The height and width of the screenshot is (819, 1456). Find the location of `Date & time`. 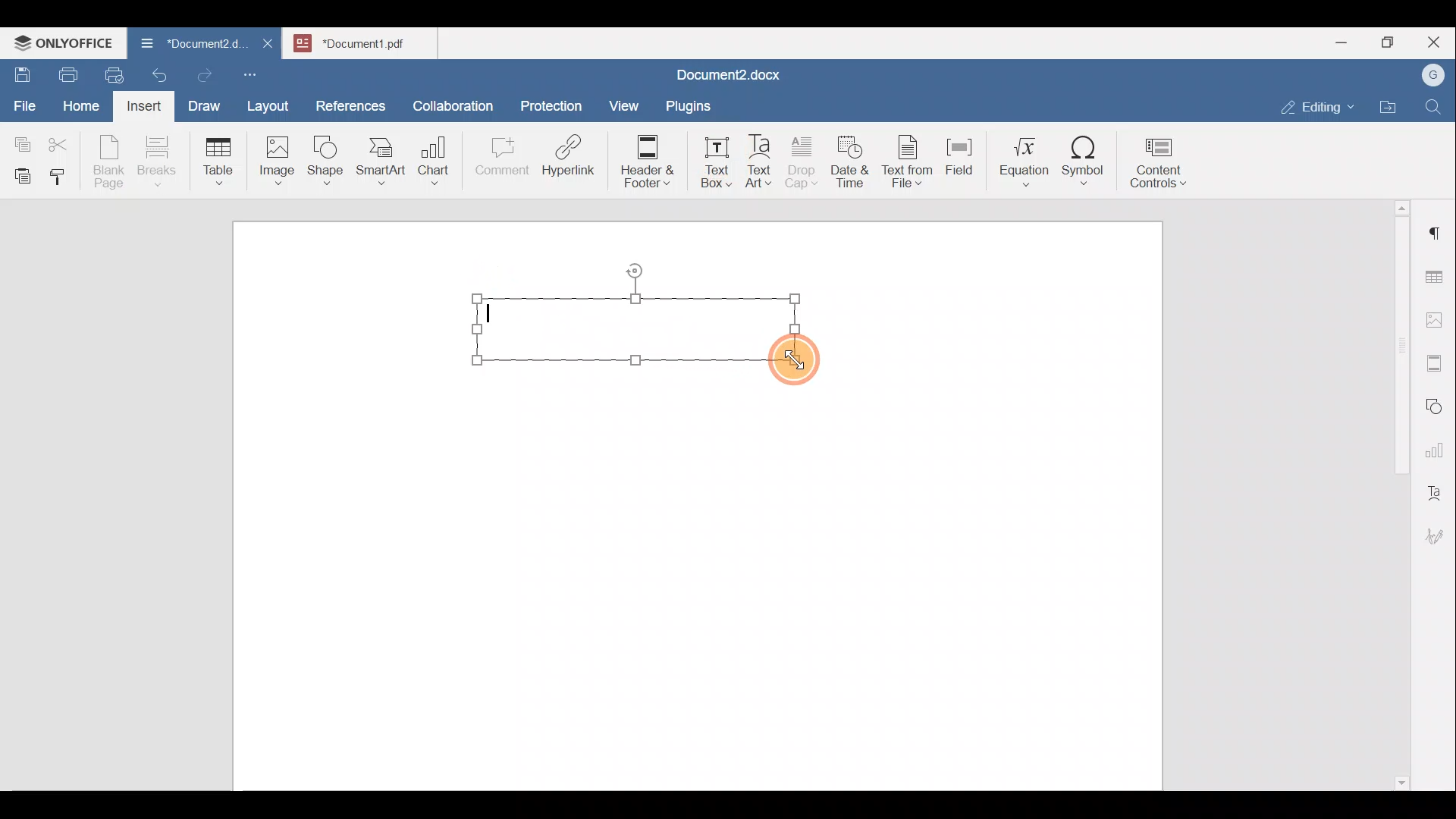

Date & time is located at coordinates (851, 159).